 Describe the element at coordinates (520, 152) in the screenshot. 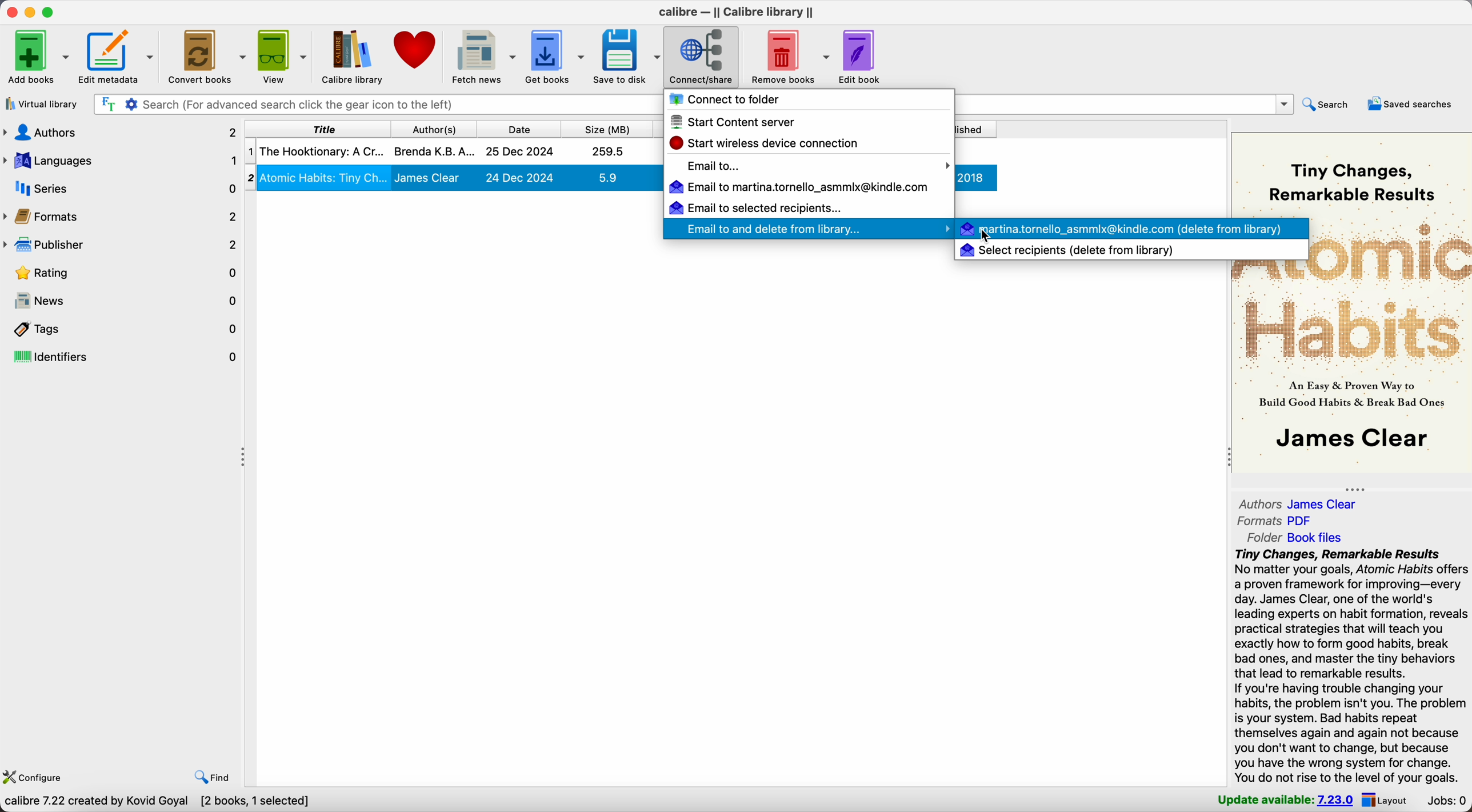

I see `25 Dec 2024` at that location.